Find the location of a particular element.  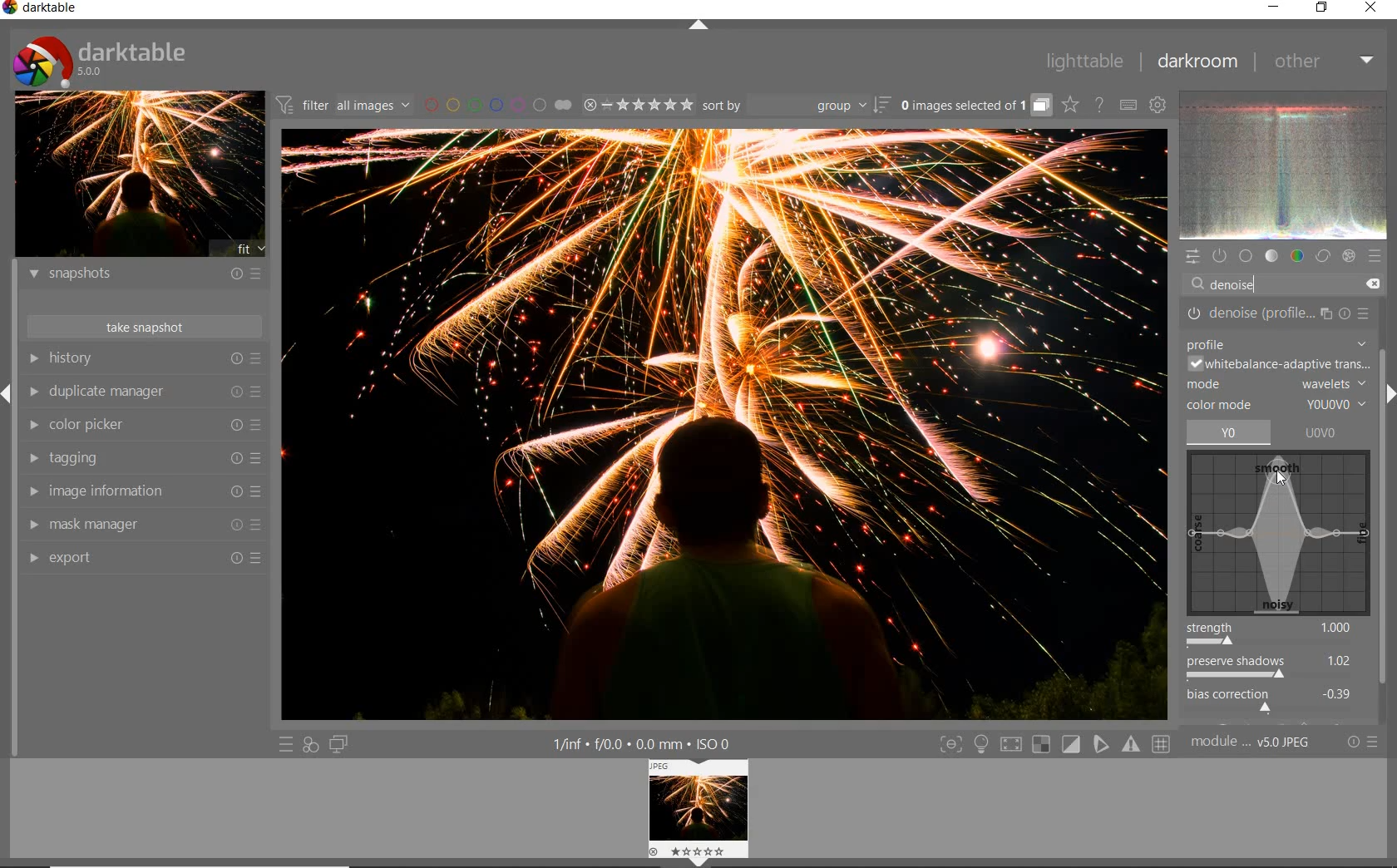

WHITEBALANCE-ADAPTIVE TRANSITION is located at coordinates (1277, 365).